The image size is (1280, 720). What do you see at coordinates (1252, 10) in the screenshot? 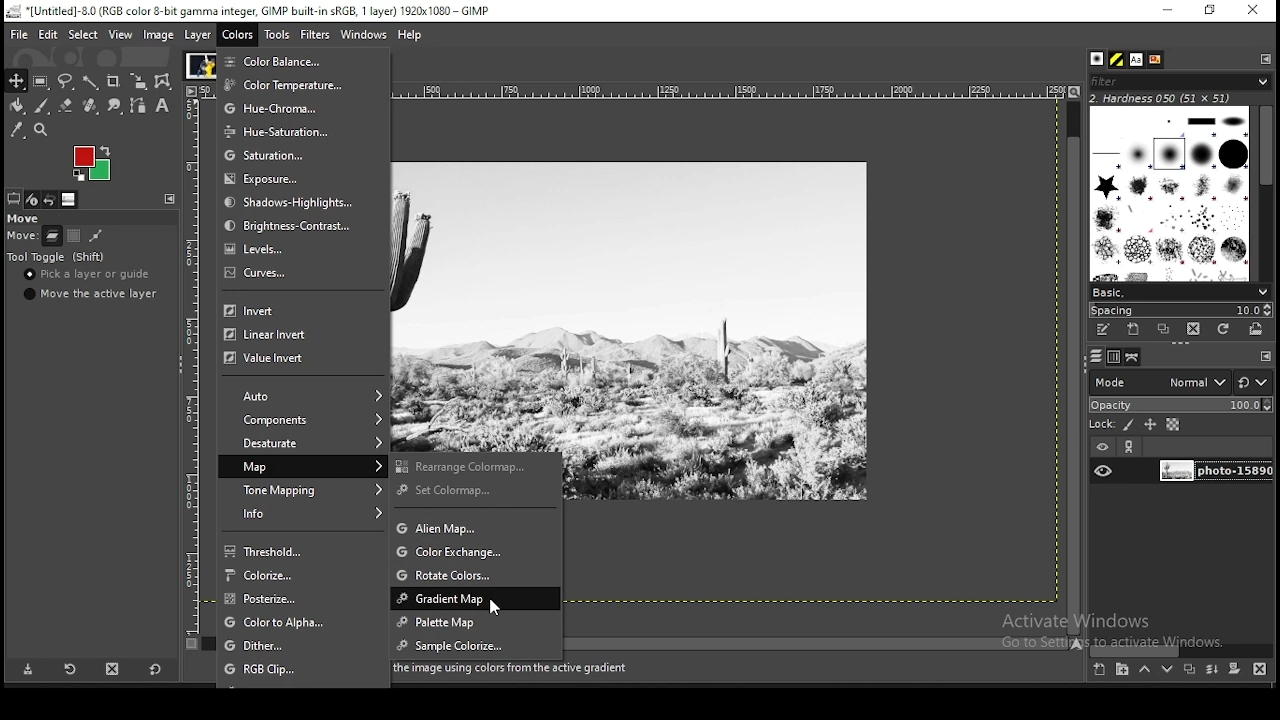
I see `close window` at bounding box center [1252, 10].